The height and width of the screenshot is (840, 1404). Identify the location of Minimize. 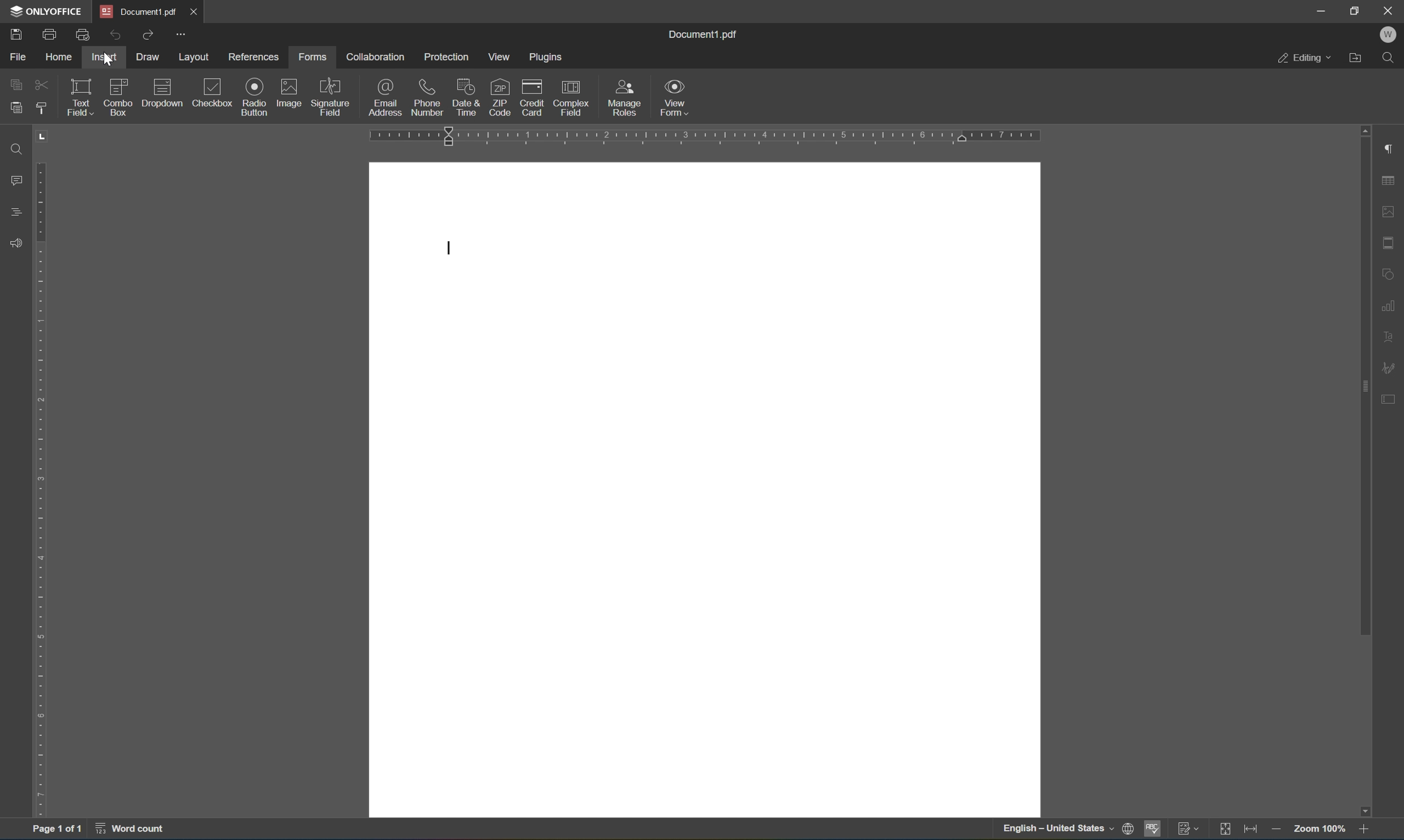
(1321, 11).